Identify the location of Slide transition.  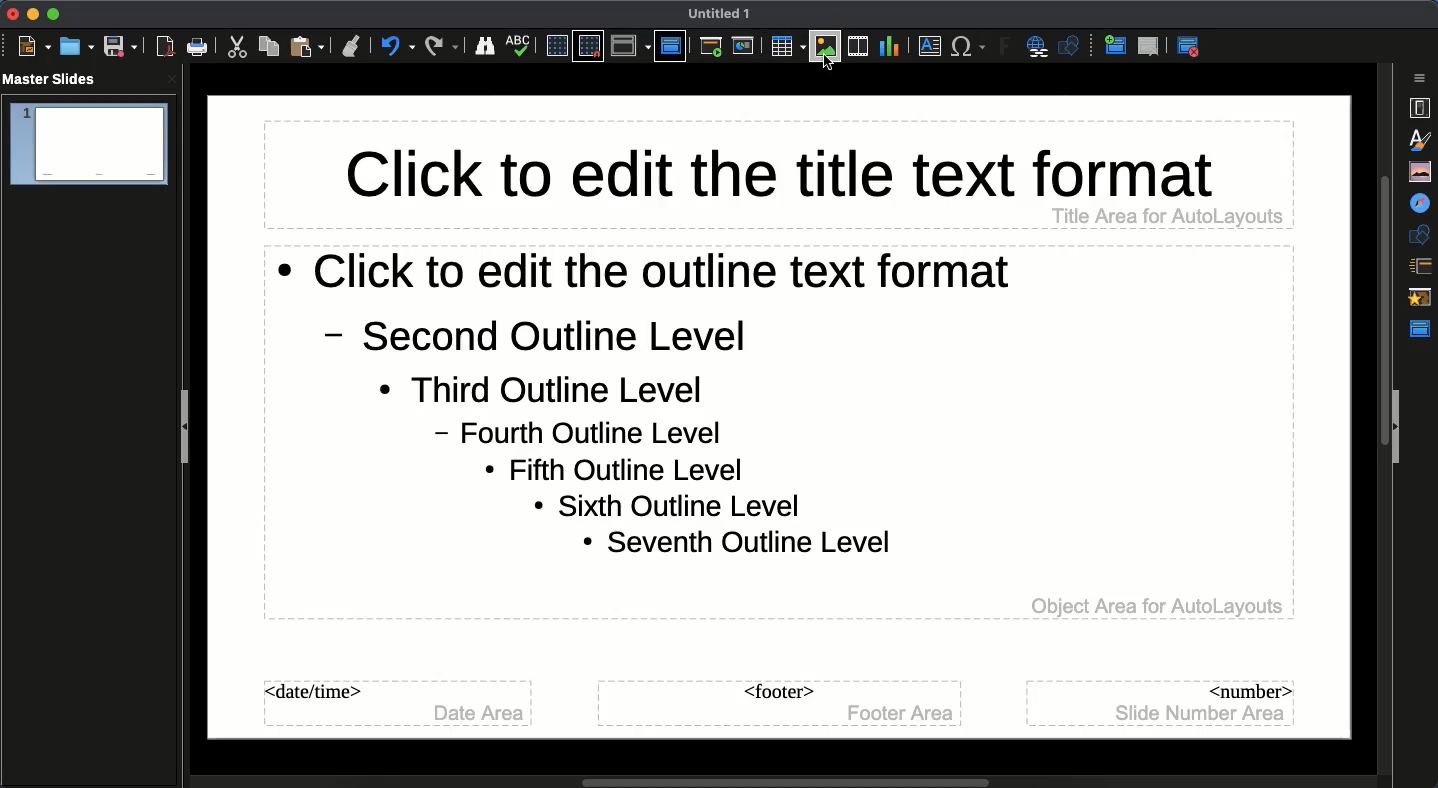
(1419, 267).